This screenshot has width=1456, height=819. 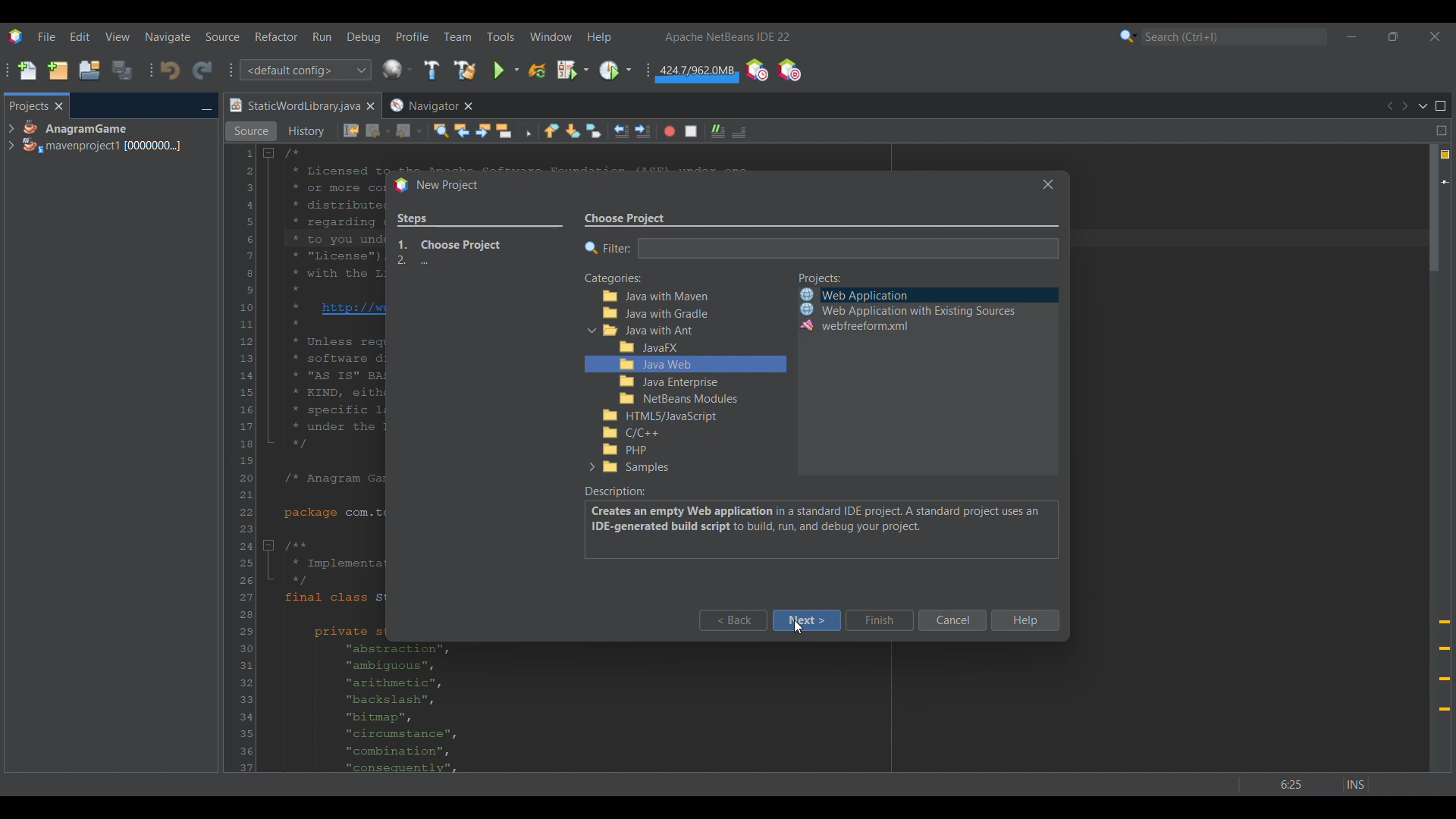 What do you see at coordinates (370, 106) in the screenshot?
I see `Close` at bounding box center [370, 106].